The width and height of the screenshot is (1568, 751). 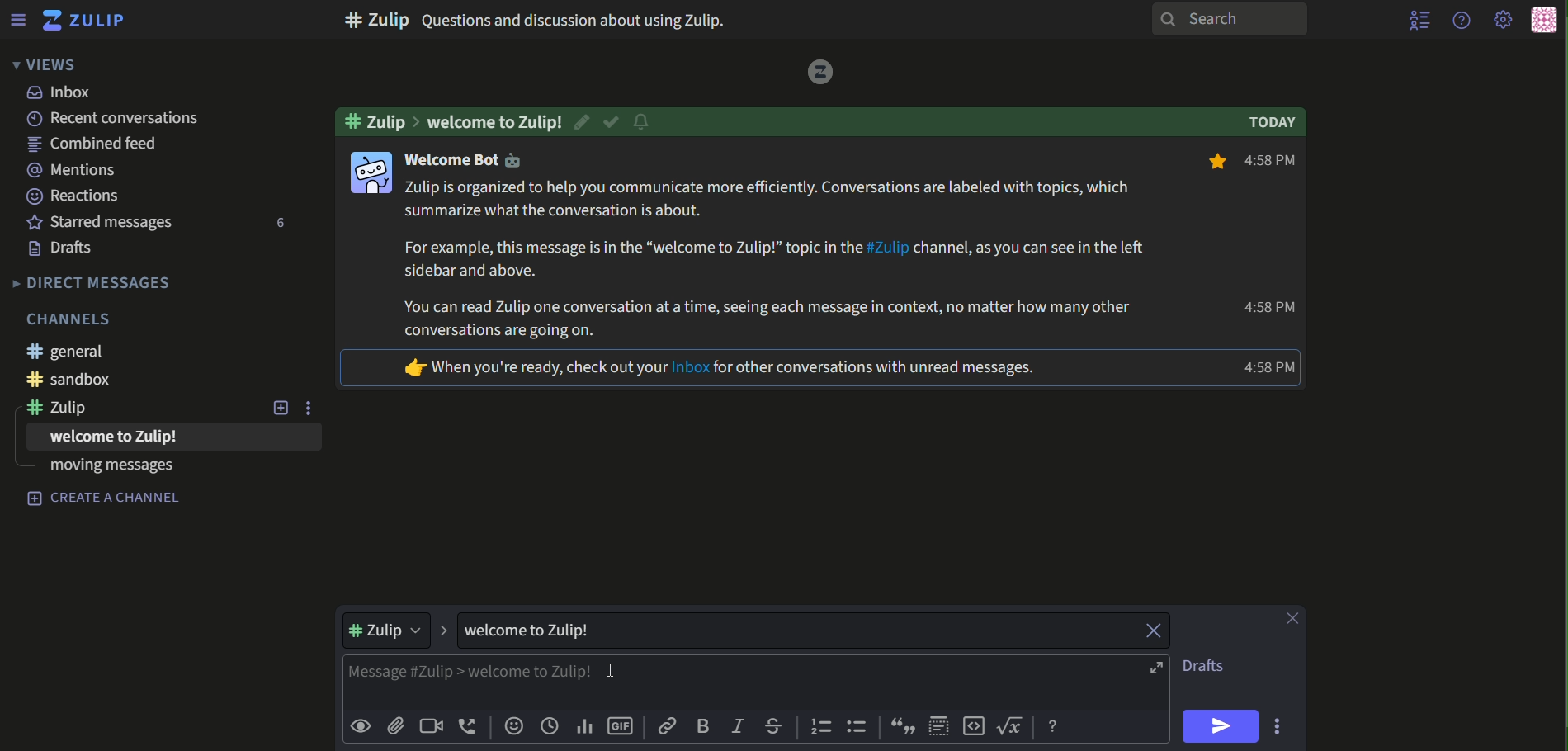 What do you see at coordinates (102, 222) in the screenshot?
I see `text` at bounding box center [102, 222].